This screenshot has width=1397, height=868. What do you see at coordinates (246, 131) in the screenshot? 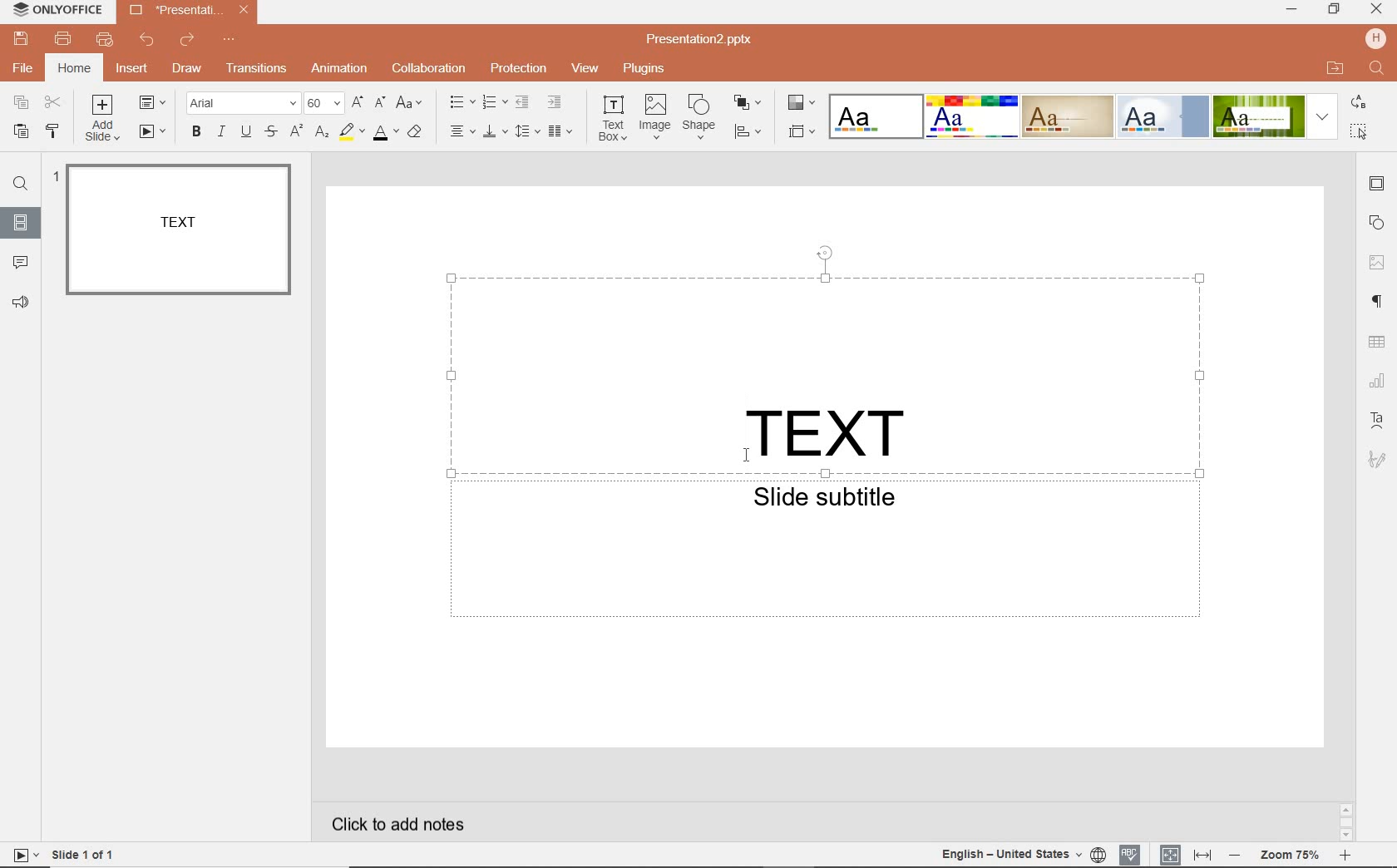
I see `UNDERLINE` at bounding box center [246, 131].